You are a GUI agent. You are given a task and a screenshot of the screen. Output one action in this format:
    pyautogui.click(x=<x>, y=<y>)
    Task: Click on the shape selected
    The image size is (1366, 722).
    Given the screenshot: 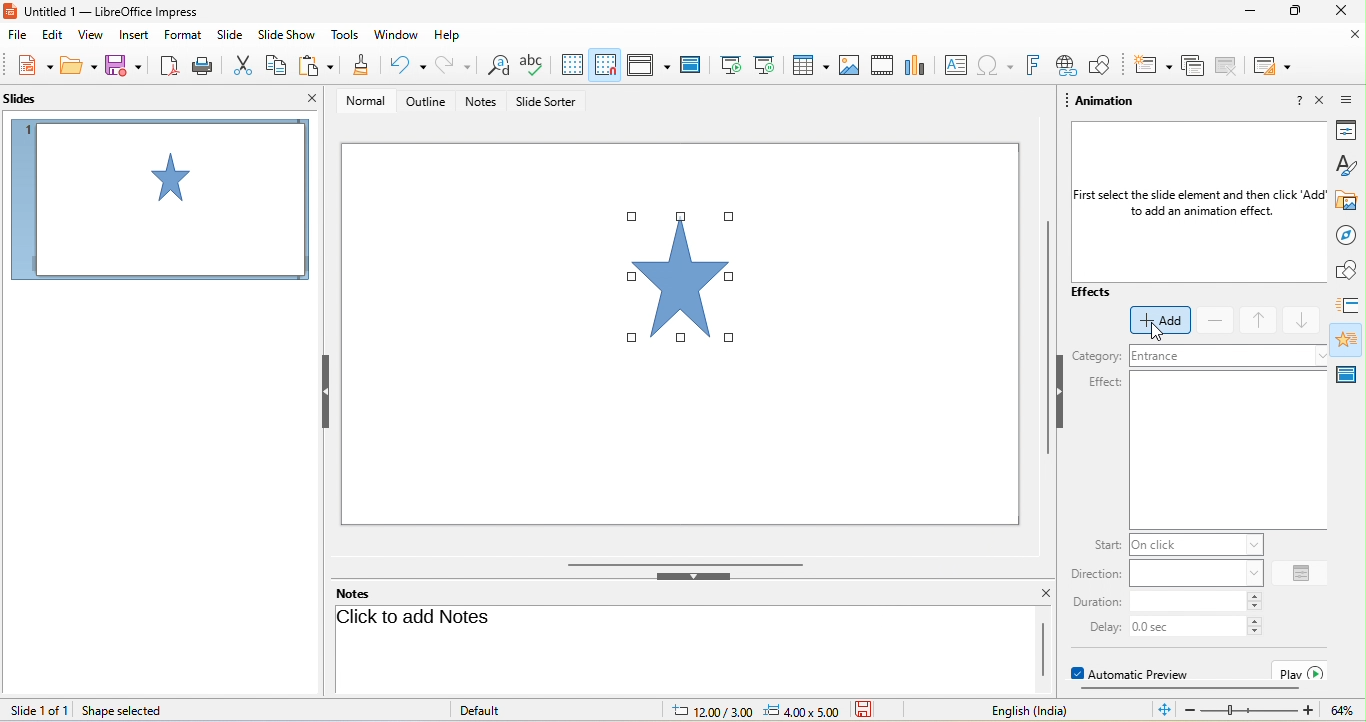 What is the action you would take?
    pyautogui.click(x=126, y=711)
    